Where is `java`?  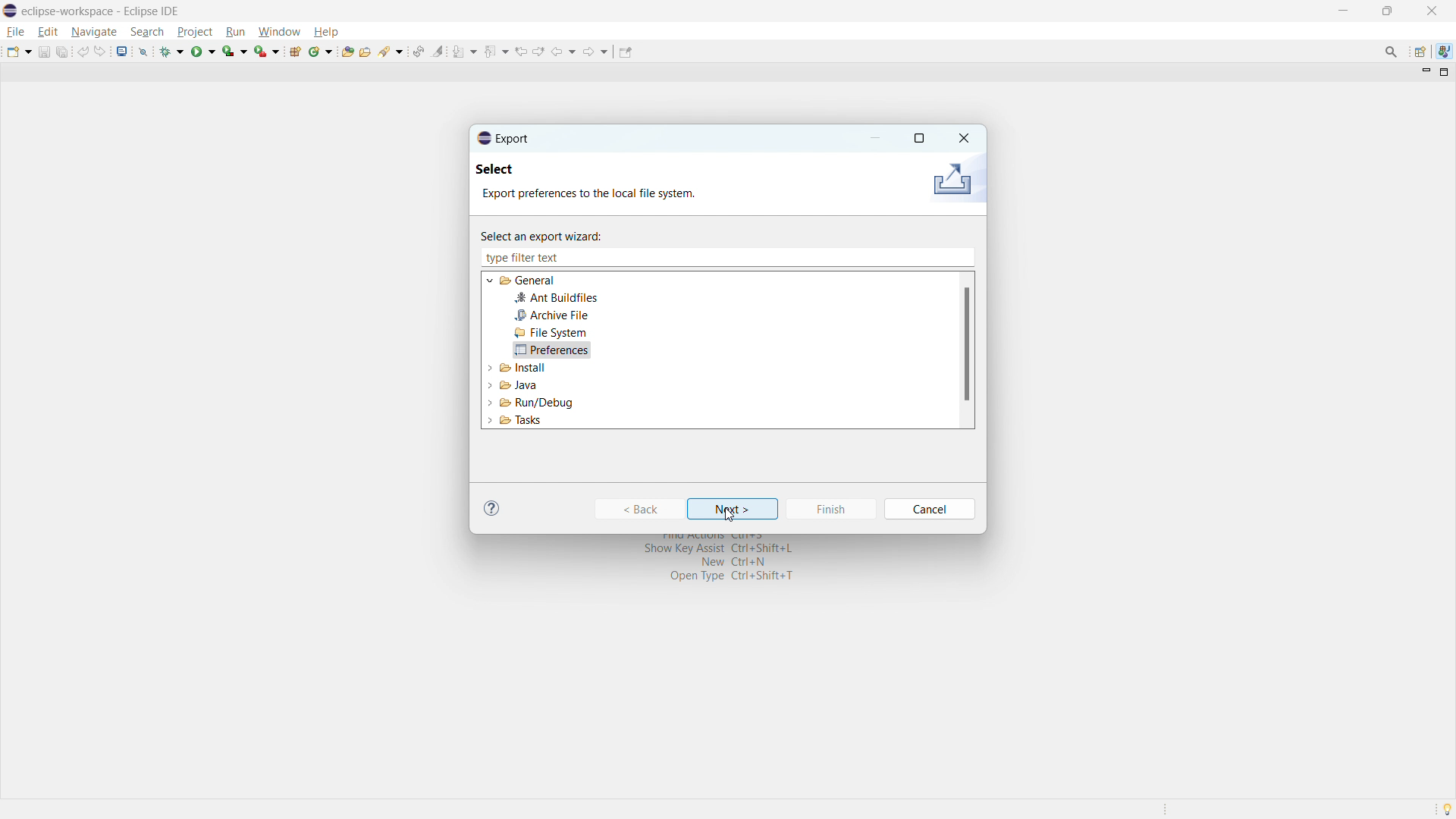 java is located at coordinates (516, 383).